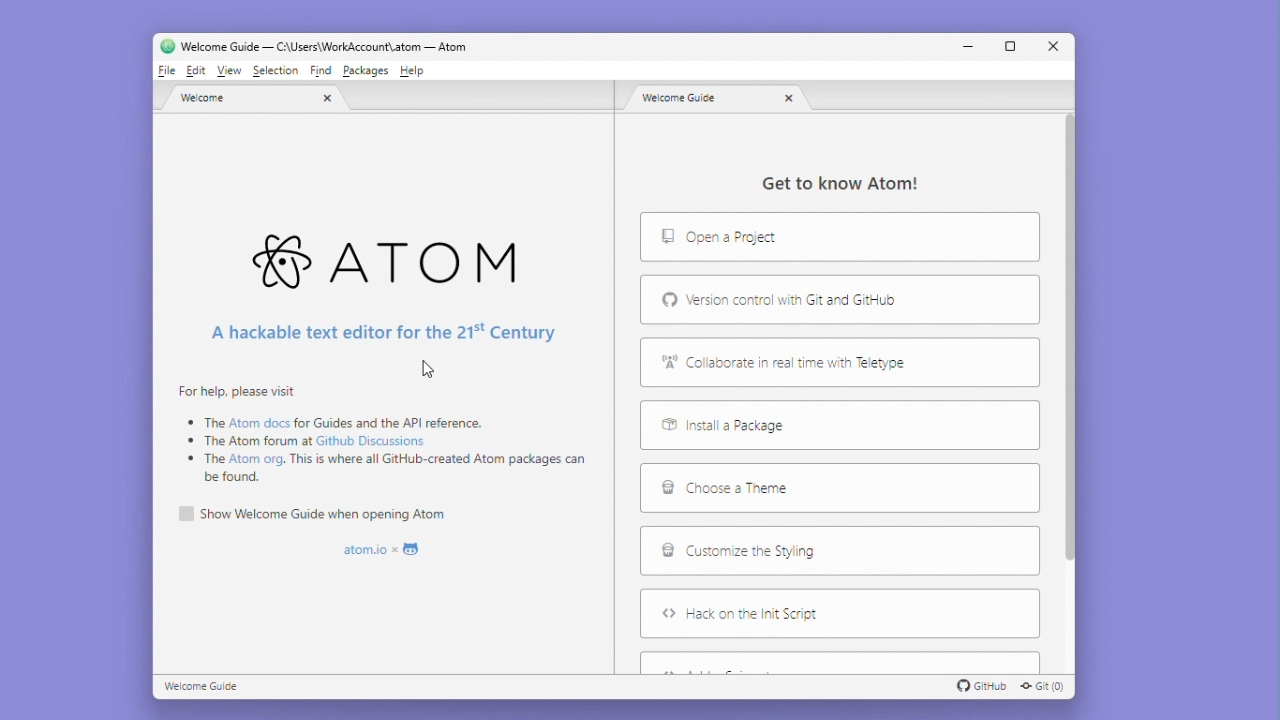  What do you see at coordinates (986, 686) in the screenshot?
I see `GitHub` at bounding box center [986, 686].